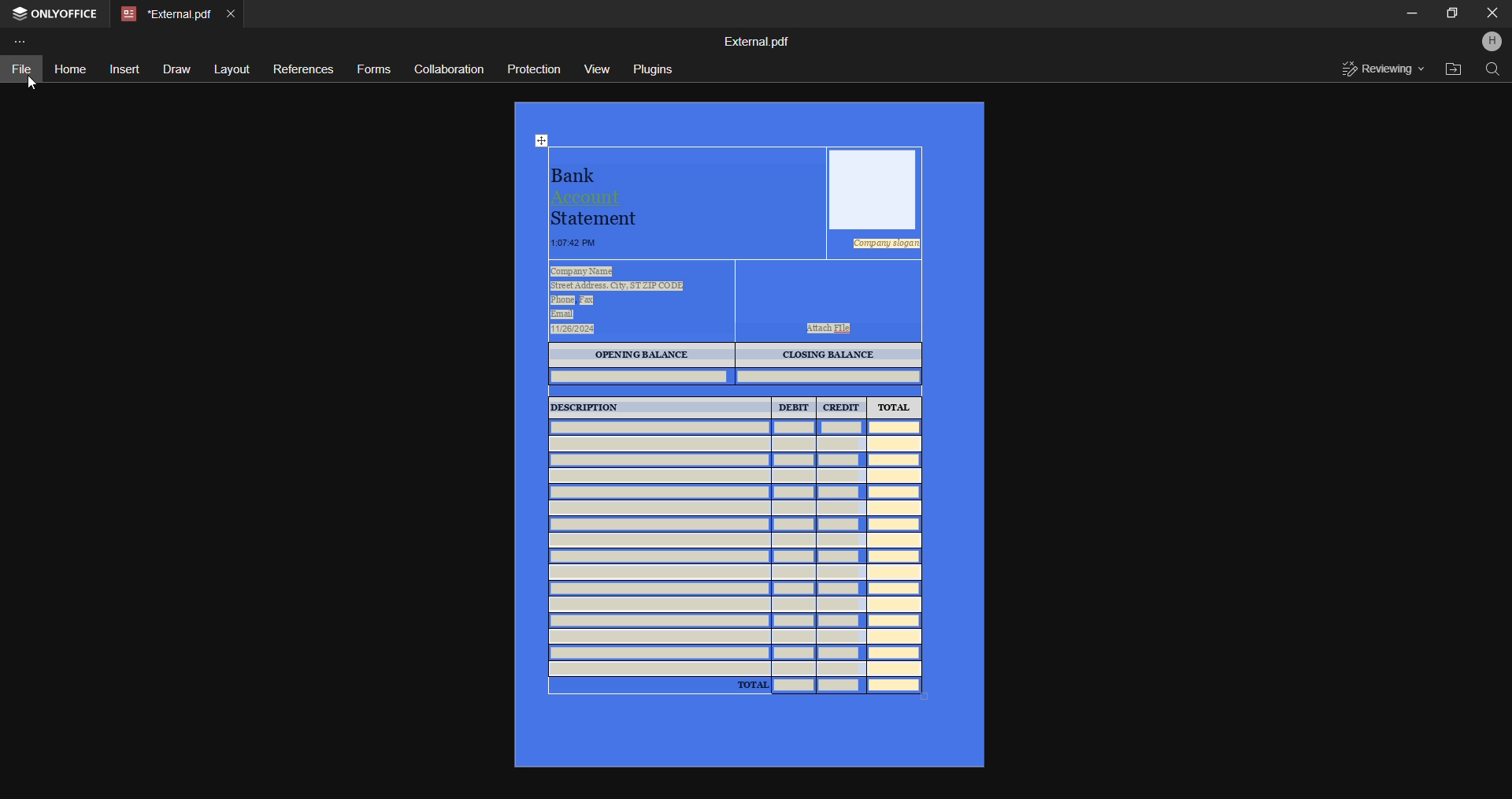 The image size is (1512, 799). What do you see at coordinates (232, 12) in the screenshot?
I see `Close Current tab` at bounding box center [232, 12].